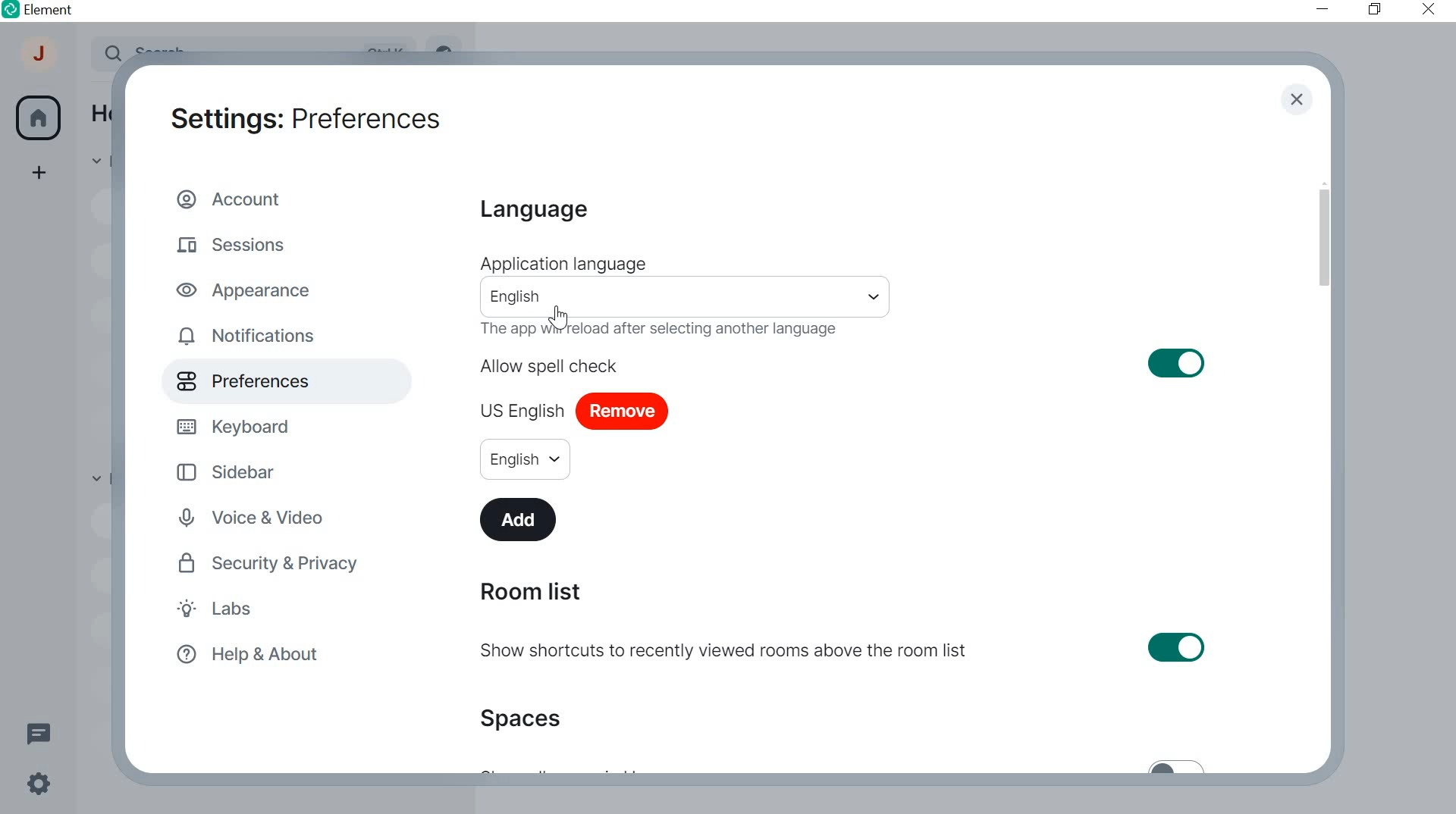 This screenshot has width=1456, height=814. What do you see at coordinates (271, 563) in the screenshot?
I see `SECURITY & PRIVACY` at bounding box center [271, 563].